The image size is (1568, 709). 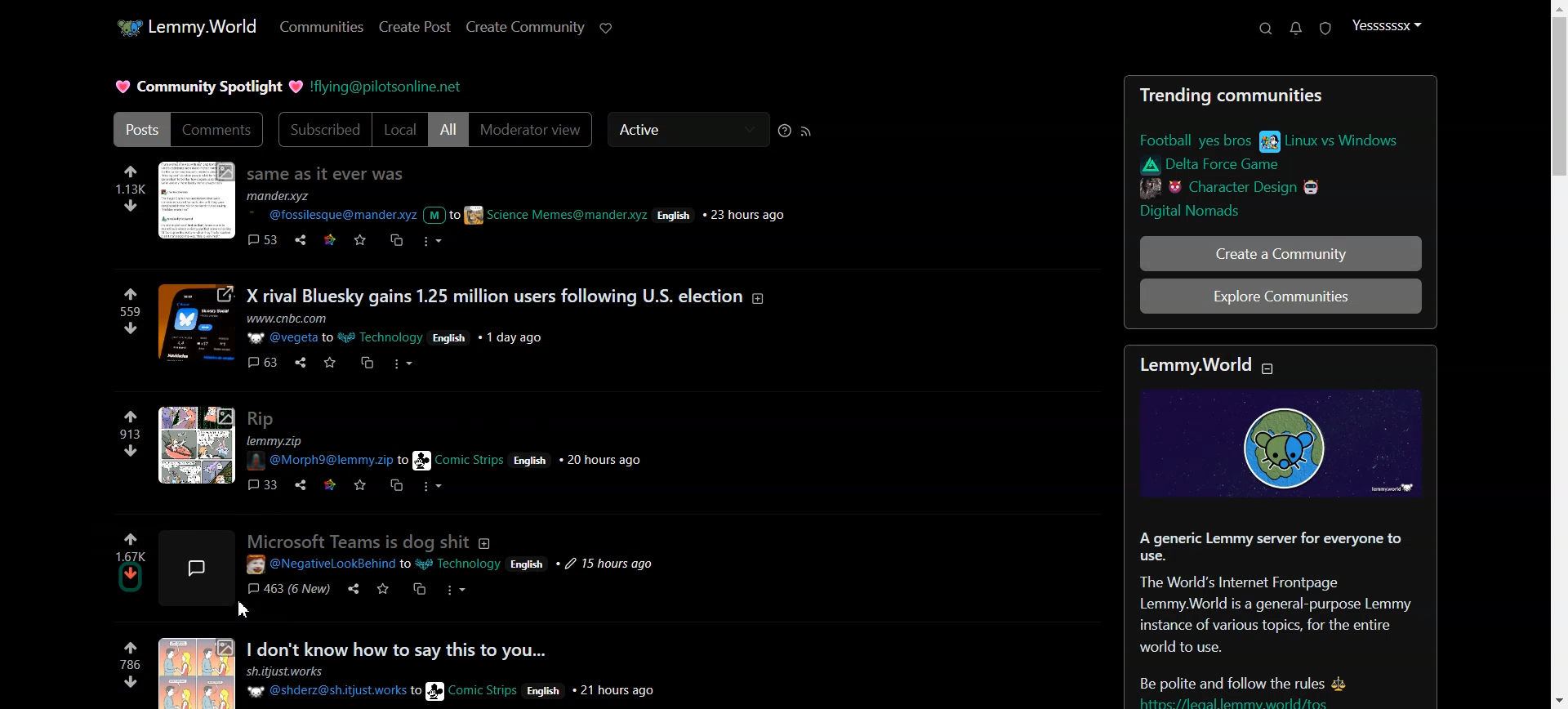 I want to click on image, so click(x=1282, y=443).